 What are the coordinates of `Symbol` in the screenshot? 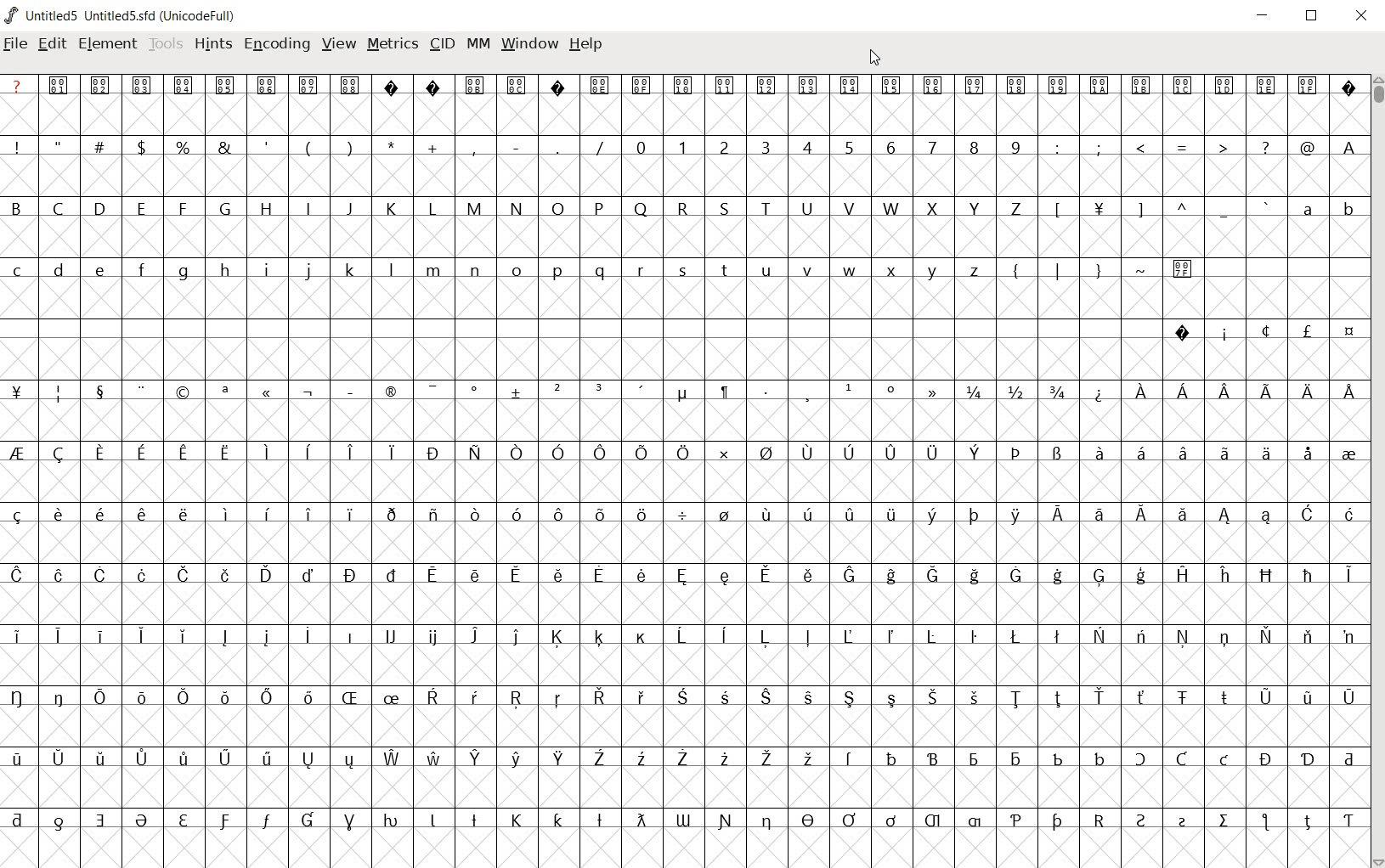 It's located at (349, 634).